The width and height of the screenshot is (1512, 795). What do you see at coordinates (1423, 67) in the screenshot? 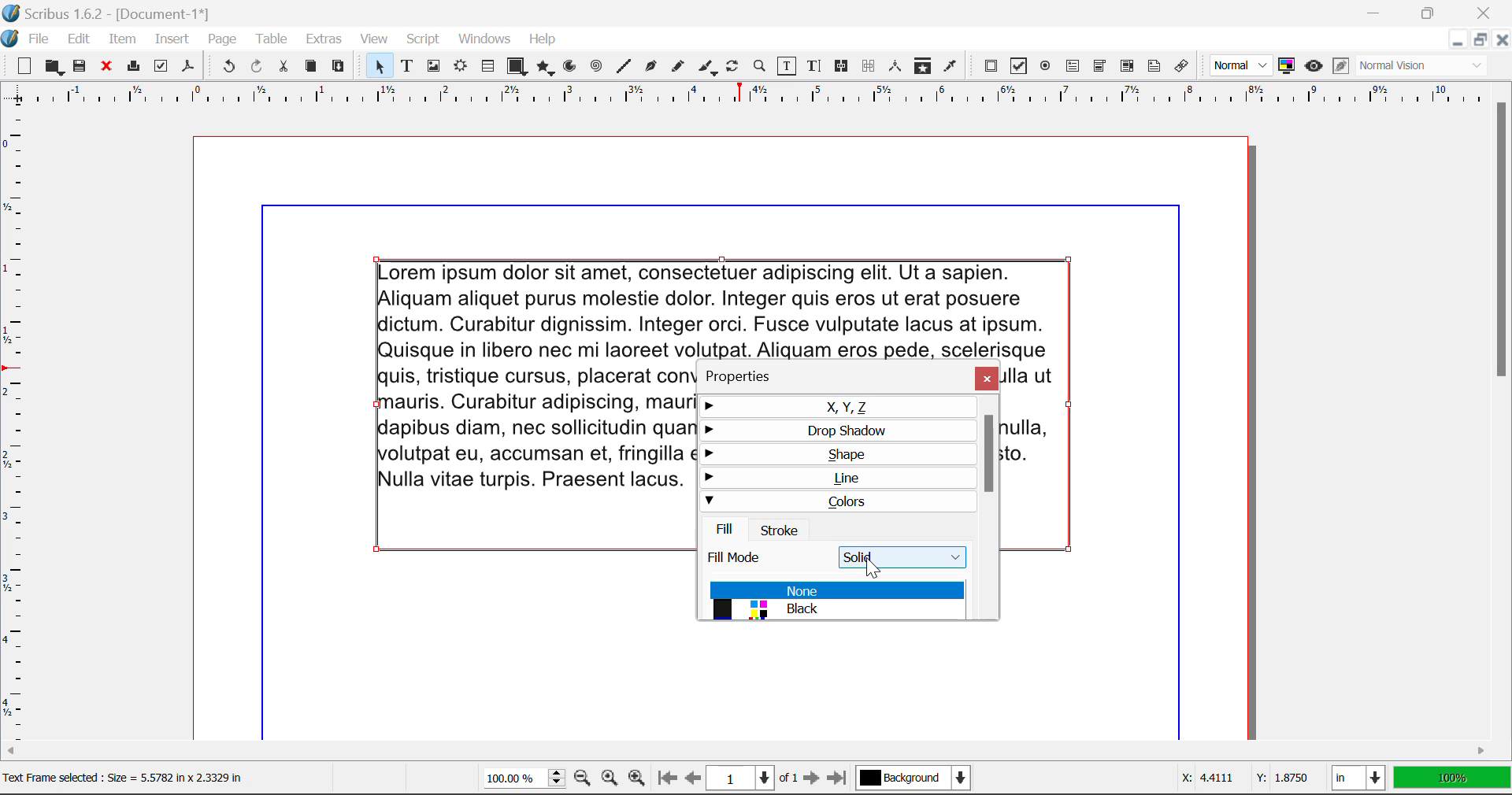
I see `Visual Appearance Type` at bounding box center [1423, 67].